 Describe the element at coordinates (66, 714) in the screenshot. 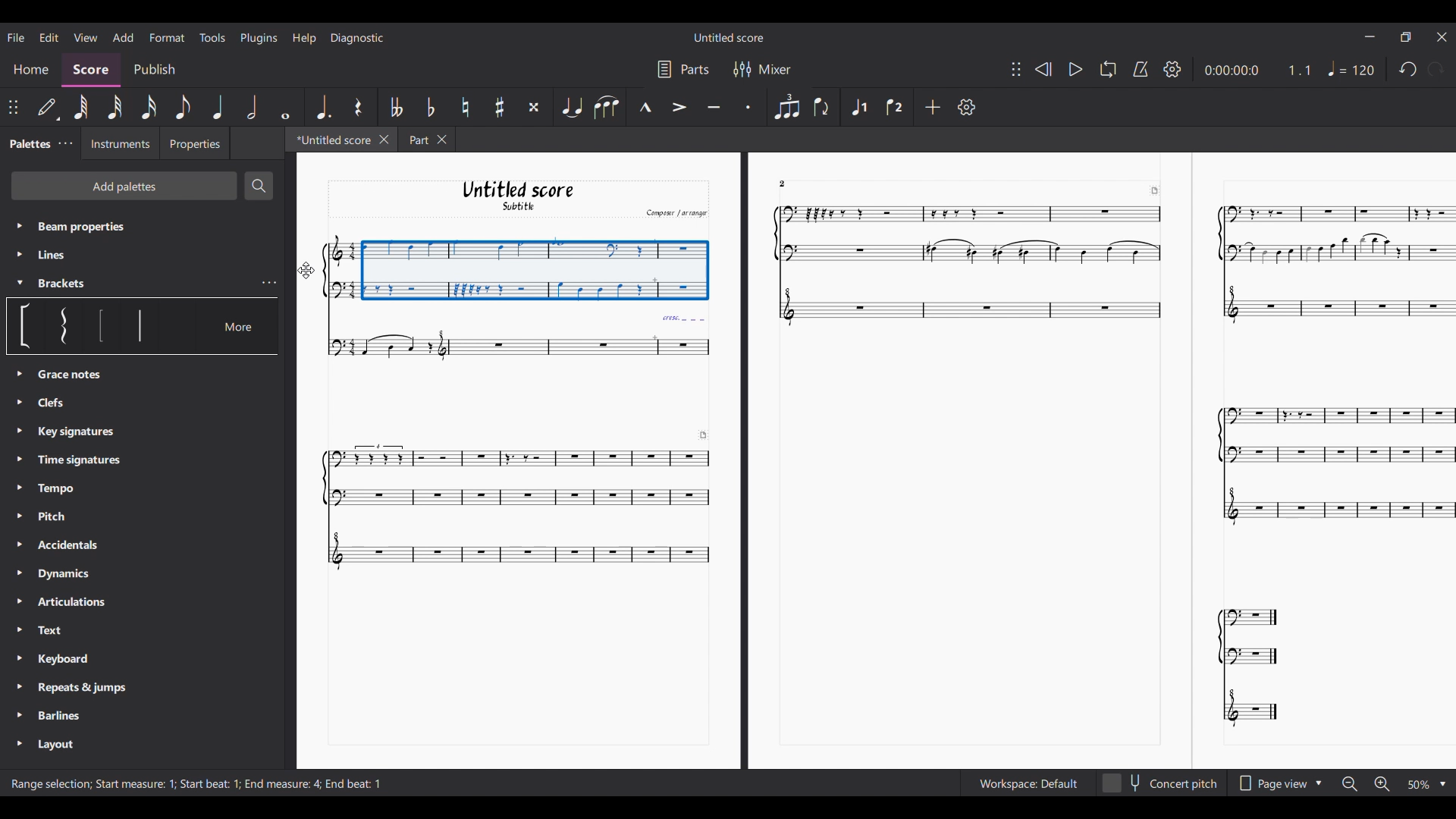

I see `Barlines` at that location.